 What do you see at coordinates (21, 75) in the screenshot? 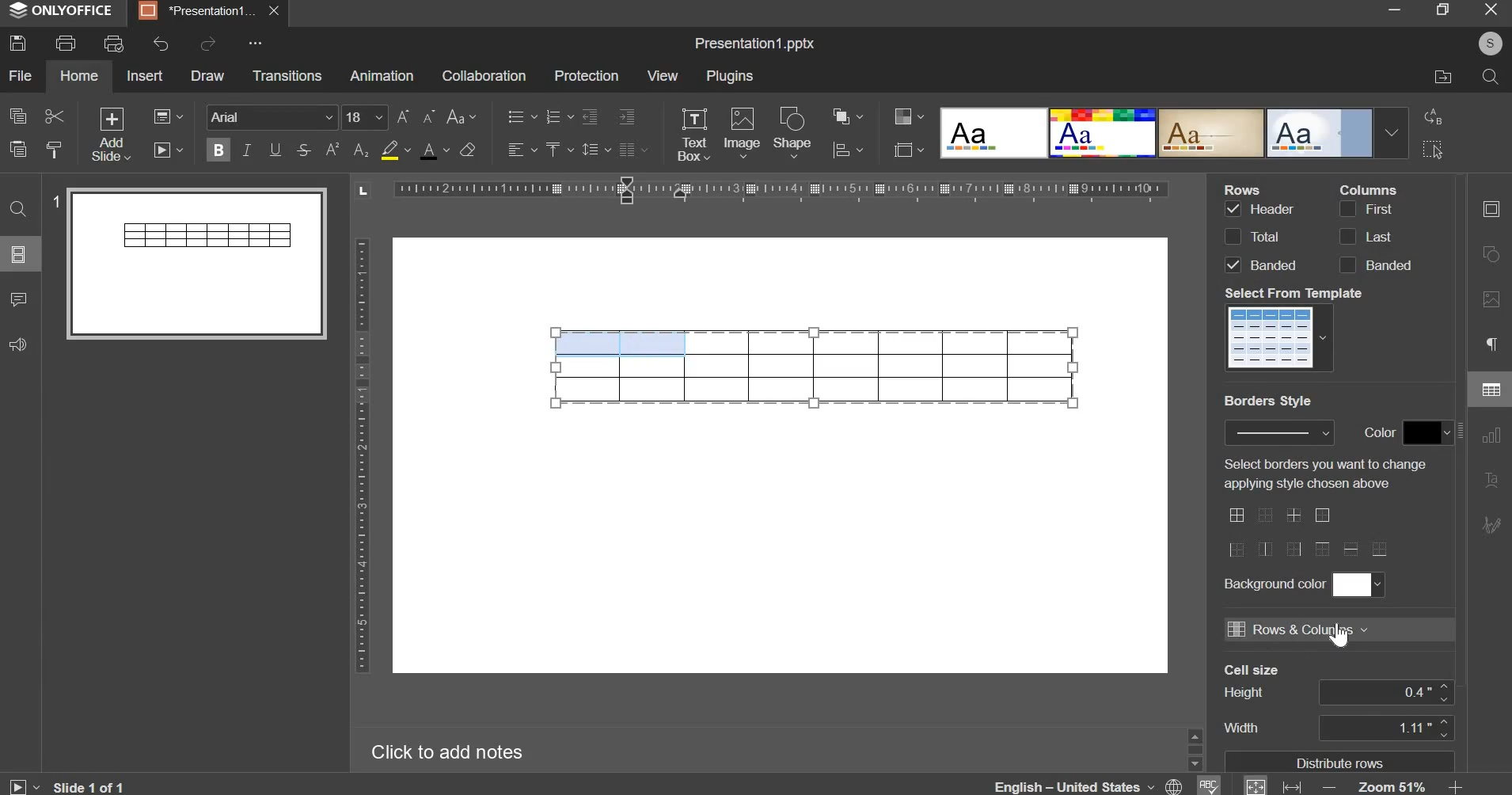
I see `file` at bounding box center [21, 75].